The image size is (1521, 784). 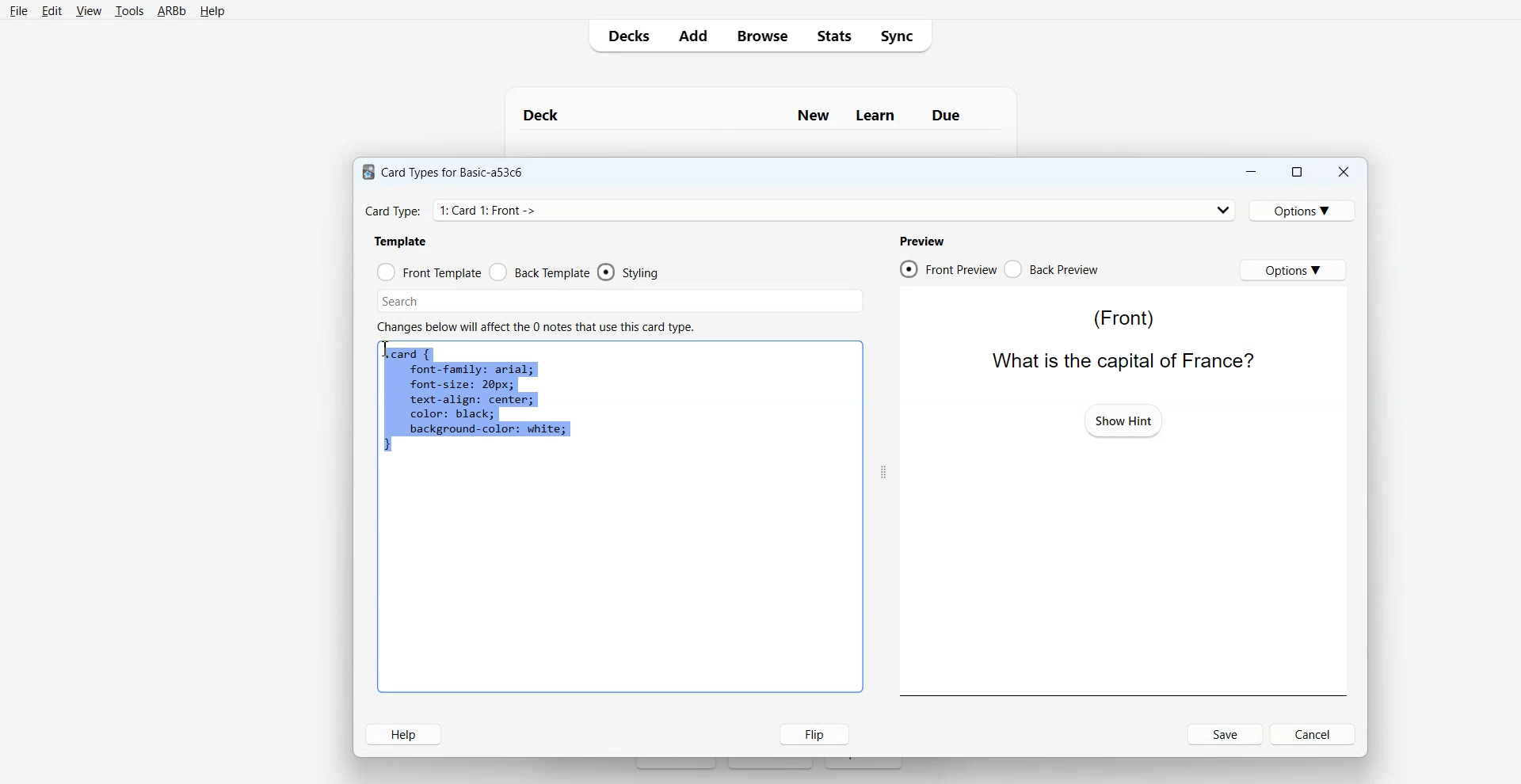 I want to click on Card Types for Basic-a53c6, so click(x=444, y=171).